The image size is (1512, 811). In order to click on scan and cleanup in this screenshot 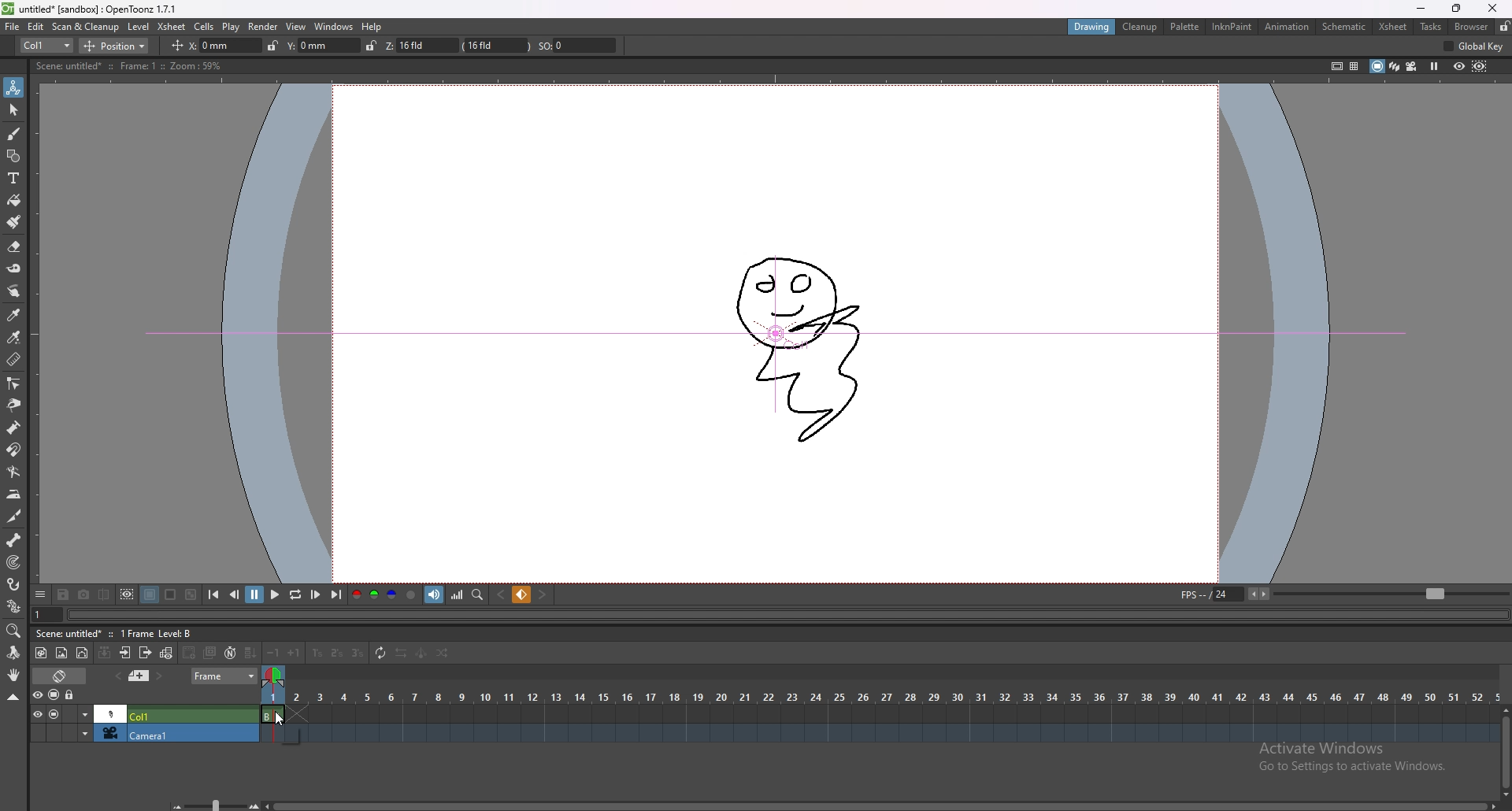, I will do `click(86, 26)`.